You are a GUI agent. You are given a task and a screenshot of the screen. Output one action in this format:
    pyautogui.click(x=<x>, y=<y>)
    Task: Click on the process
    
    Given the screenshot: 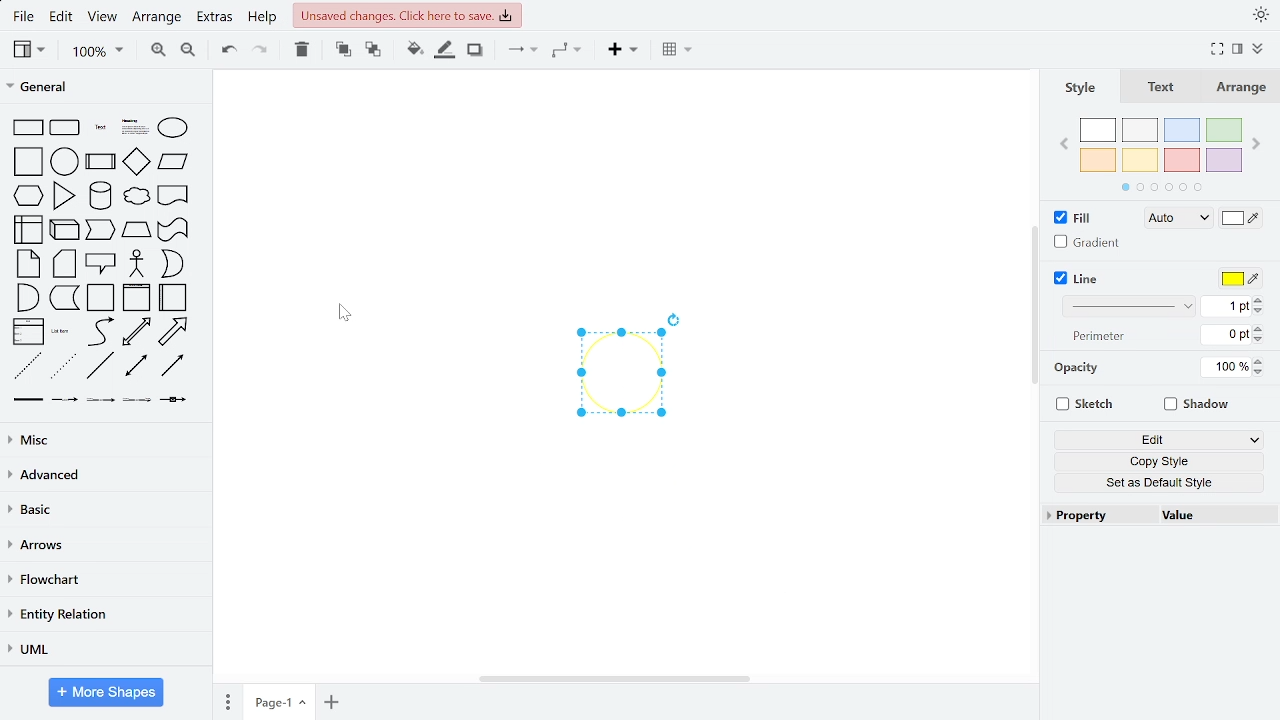 What is the action you would take?
    pyautogui.click(x=100, y=162)
    